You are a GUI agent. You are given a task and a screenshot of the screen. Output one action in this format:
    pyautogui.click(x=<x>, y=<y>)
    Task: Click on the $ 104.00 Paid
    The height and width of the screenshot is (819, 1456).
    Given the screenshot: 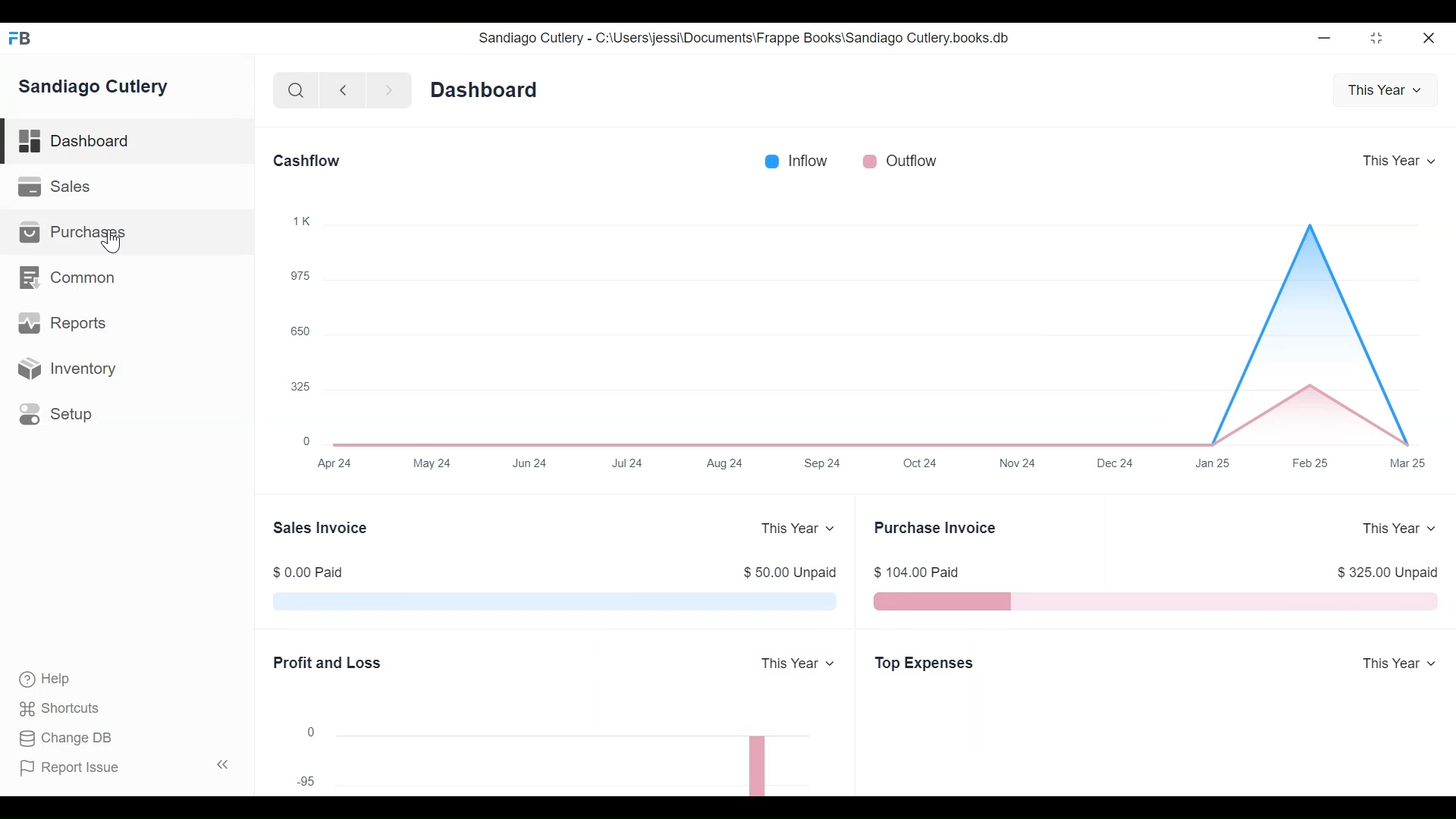 What is the action you would take?
    pyautogui.click(x=929, y=573)
    